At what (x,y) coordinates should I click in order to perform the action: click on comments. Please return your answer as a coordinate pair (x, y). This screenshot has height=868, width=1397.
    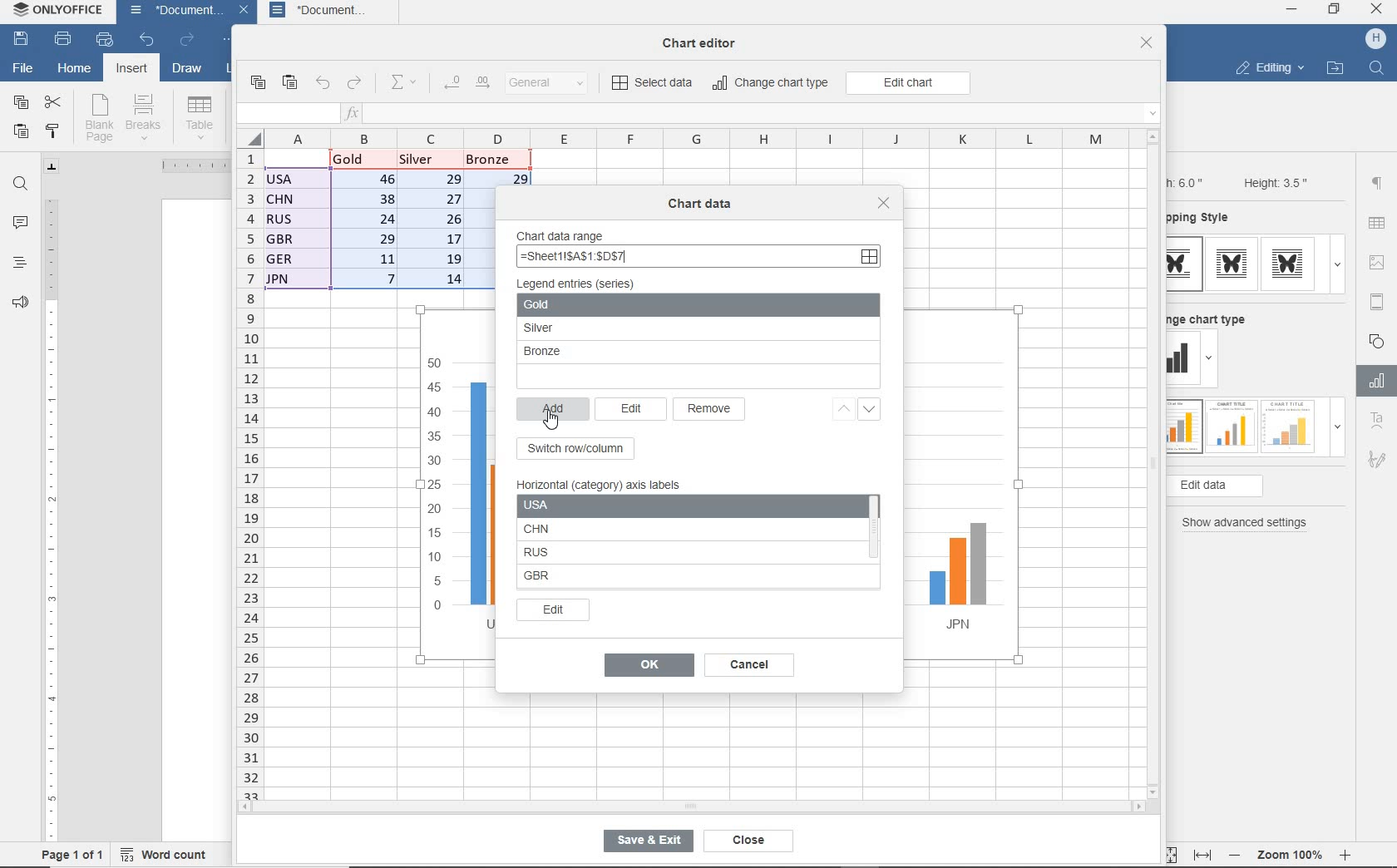
    Looking at the image, I should click on (21, 224).